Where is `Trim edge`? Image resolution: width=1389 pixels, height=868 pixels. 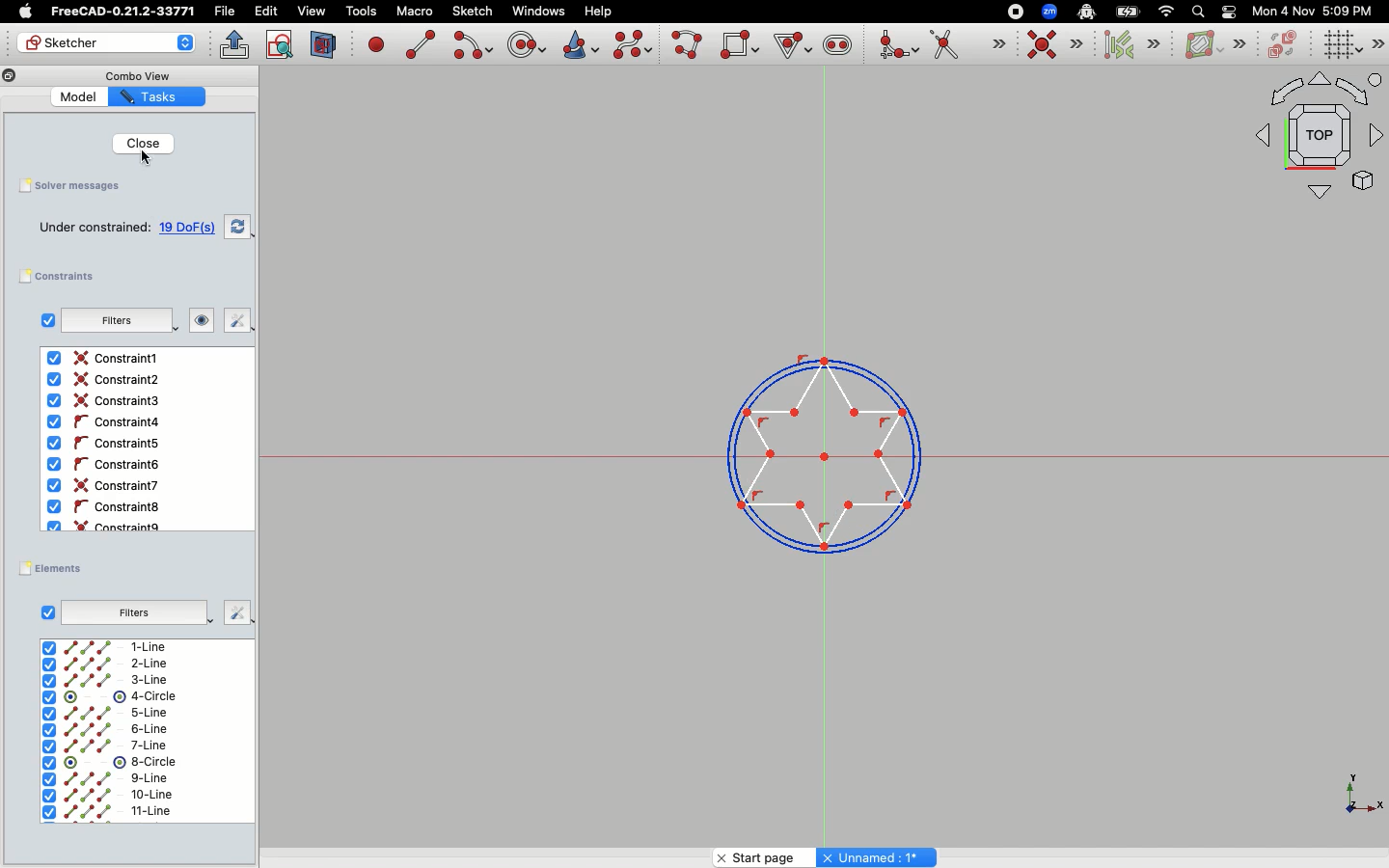 Trim edge is located at coordinates (967, 46).